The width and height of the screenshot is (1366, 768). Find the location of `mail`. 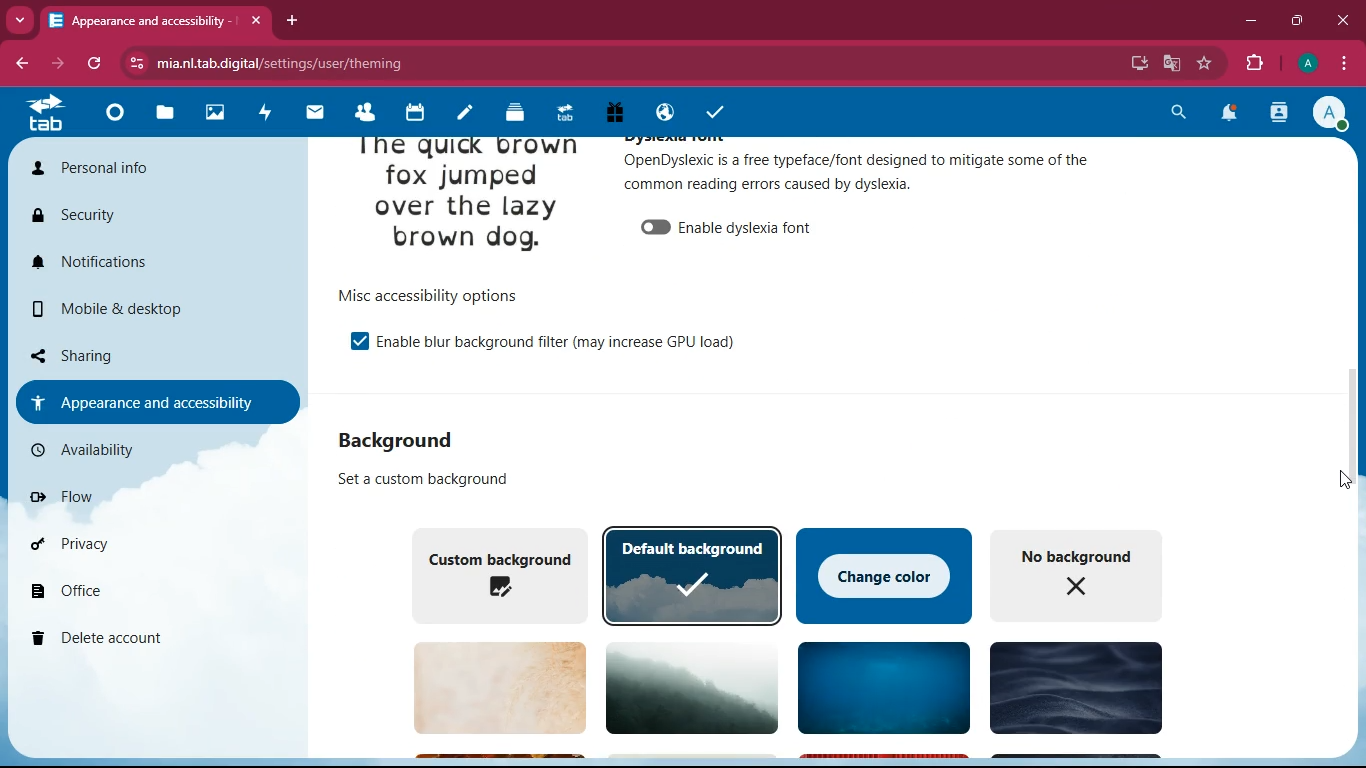

mail is located at coordinates (313, 114).